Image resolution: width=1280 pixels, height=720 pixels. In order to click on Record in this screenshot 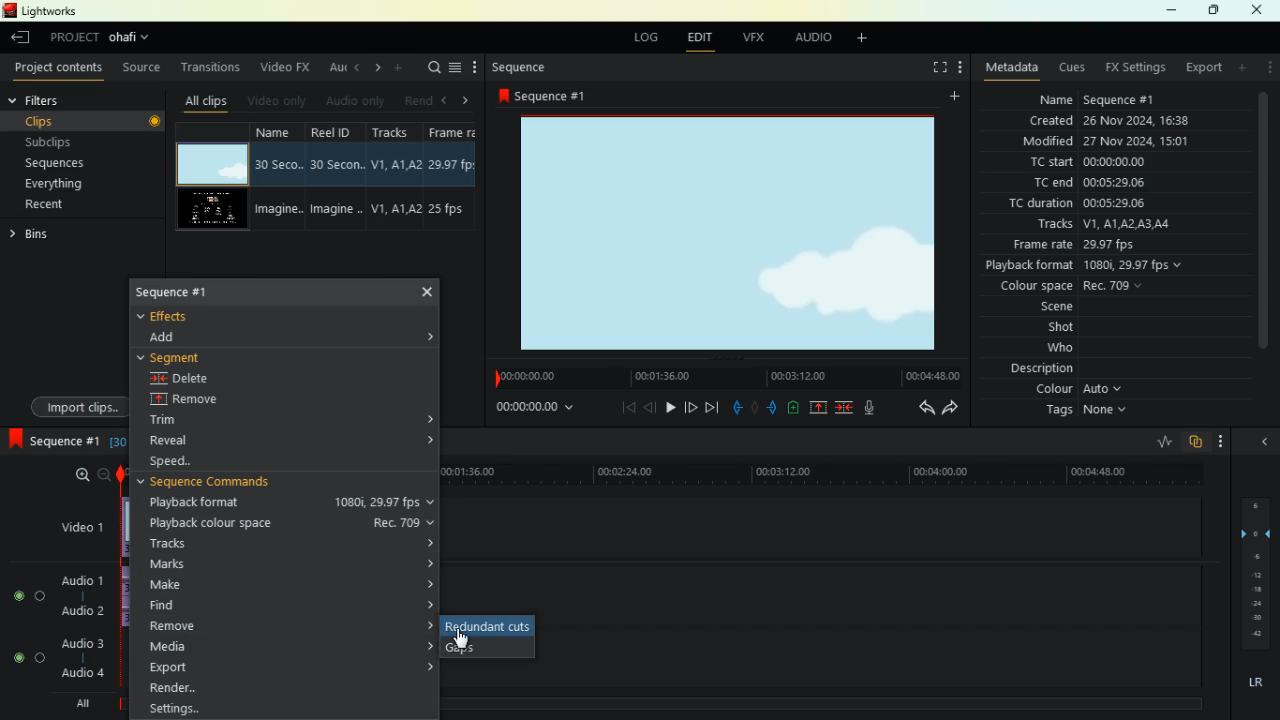, I will do `click(156, 121)`.